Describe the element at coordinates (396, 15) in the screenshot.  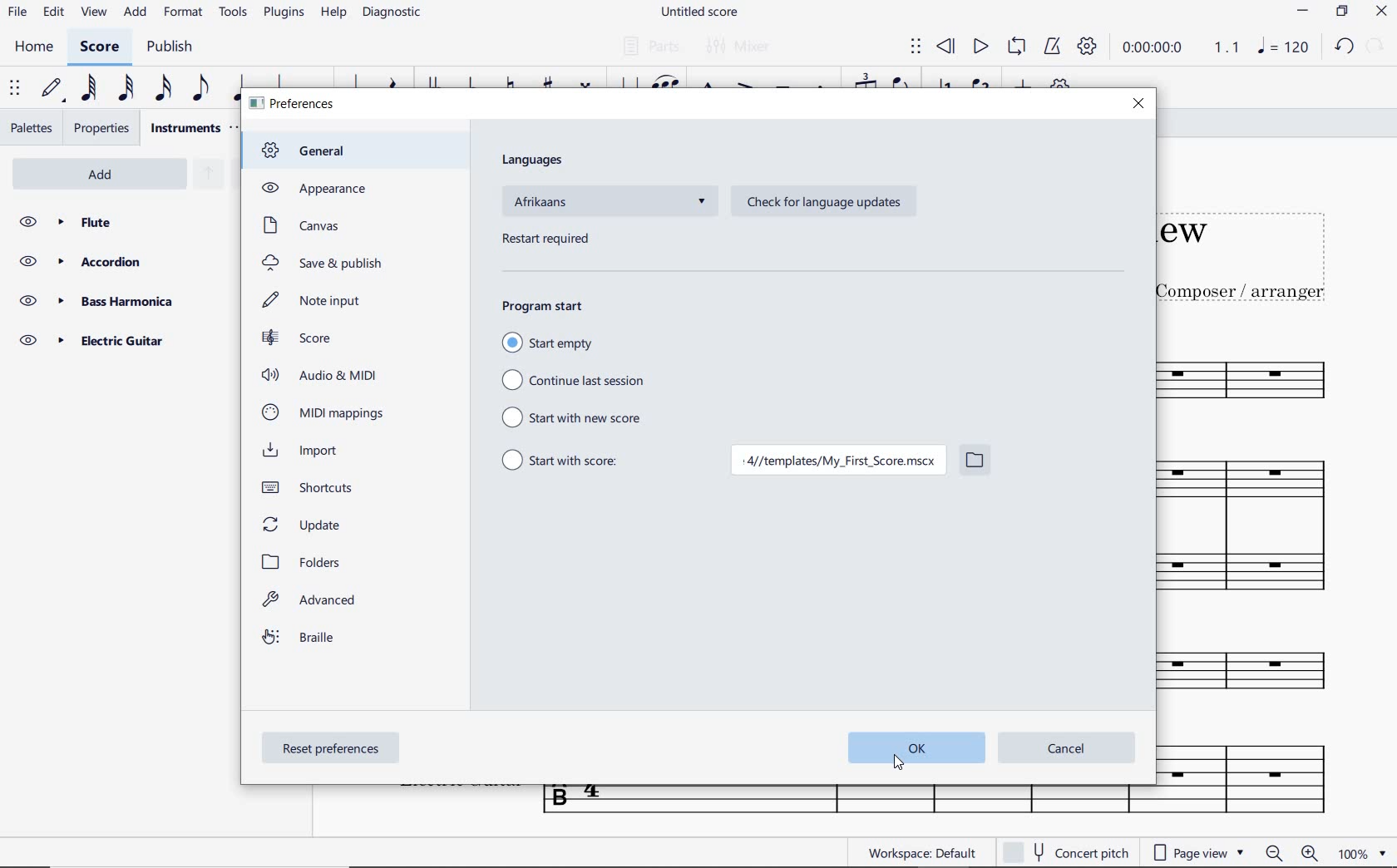
I see `diagnostic` at that location.